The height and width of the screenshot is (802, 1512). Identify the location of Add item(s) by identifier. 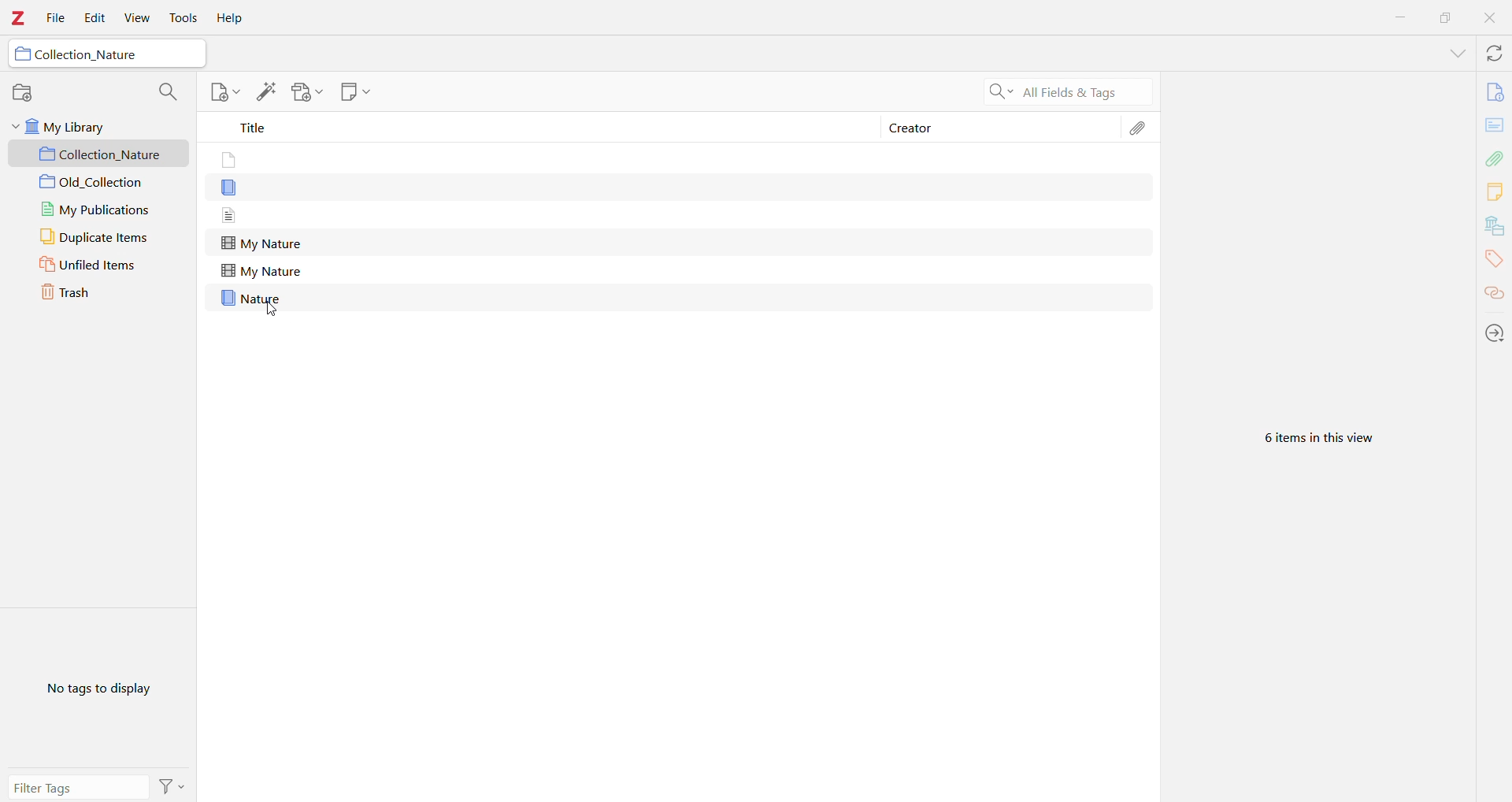
(265, 92).